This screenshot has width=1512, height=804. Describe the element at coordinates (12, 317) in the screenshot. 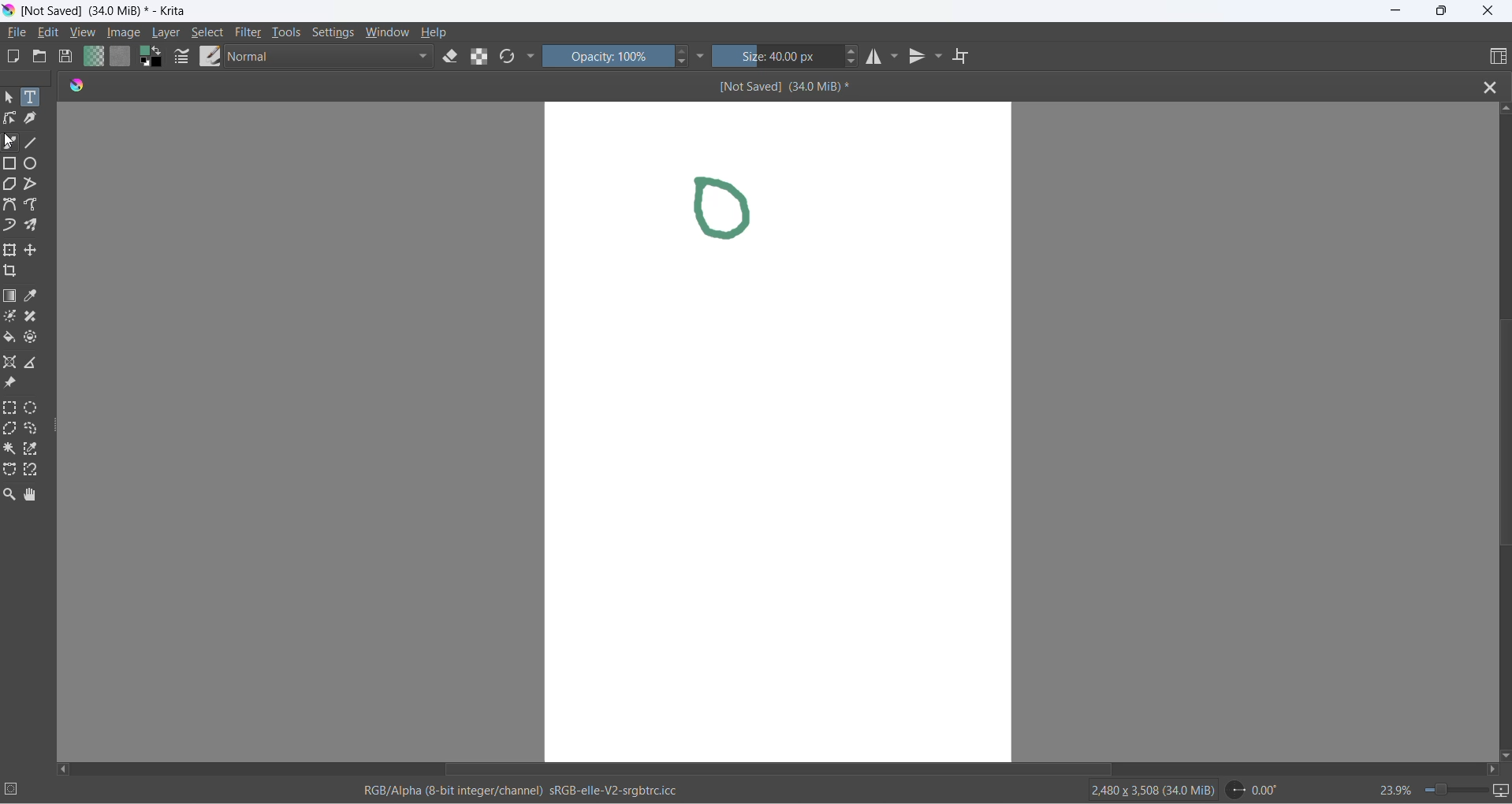

I see `colorize mask tool` at that location.